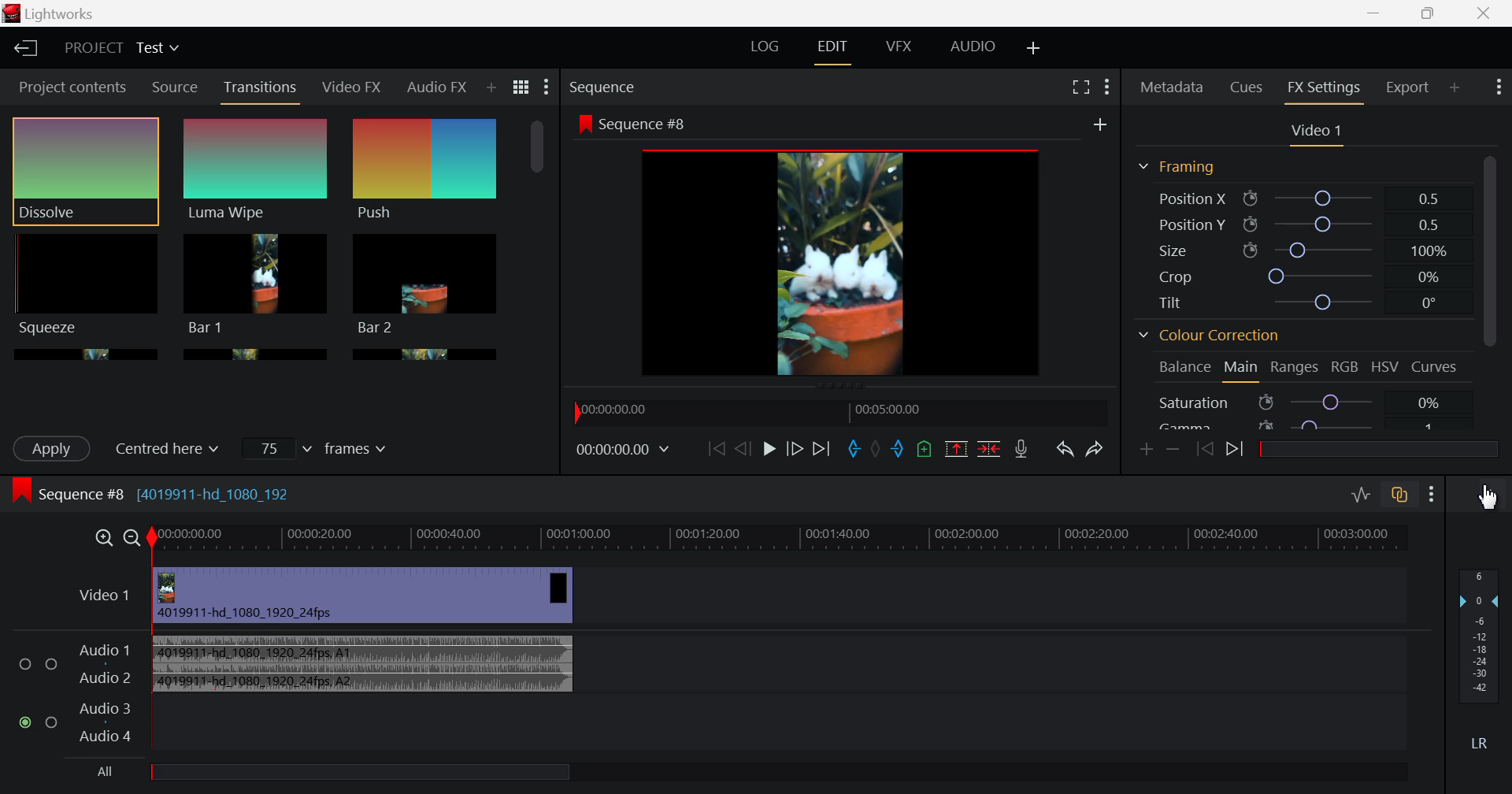 The image size is (1512, 794). I want to click on Timeline Zoom In/Out, so click(114, 538).